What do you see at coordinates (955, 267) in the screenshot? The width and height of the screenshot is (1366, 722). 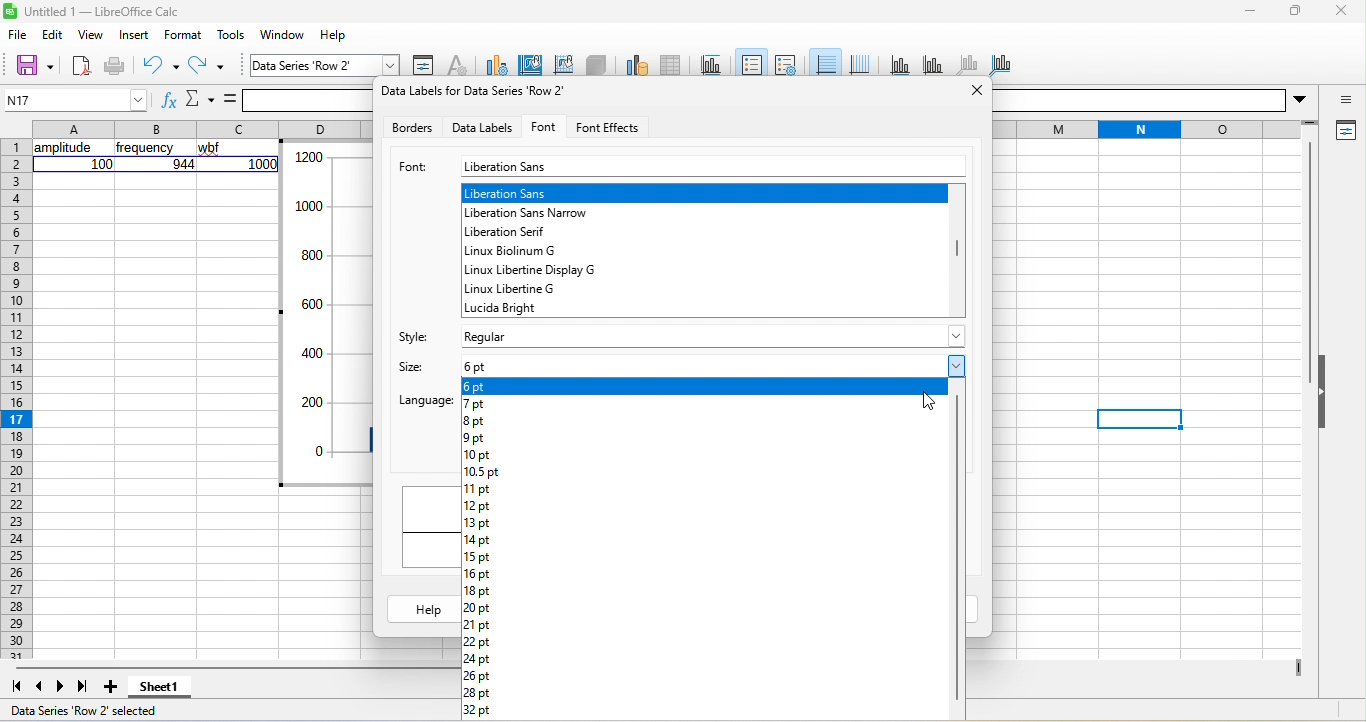 I see `vertical scroll bar` at bounding box center [955, 267].